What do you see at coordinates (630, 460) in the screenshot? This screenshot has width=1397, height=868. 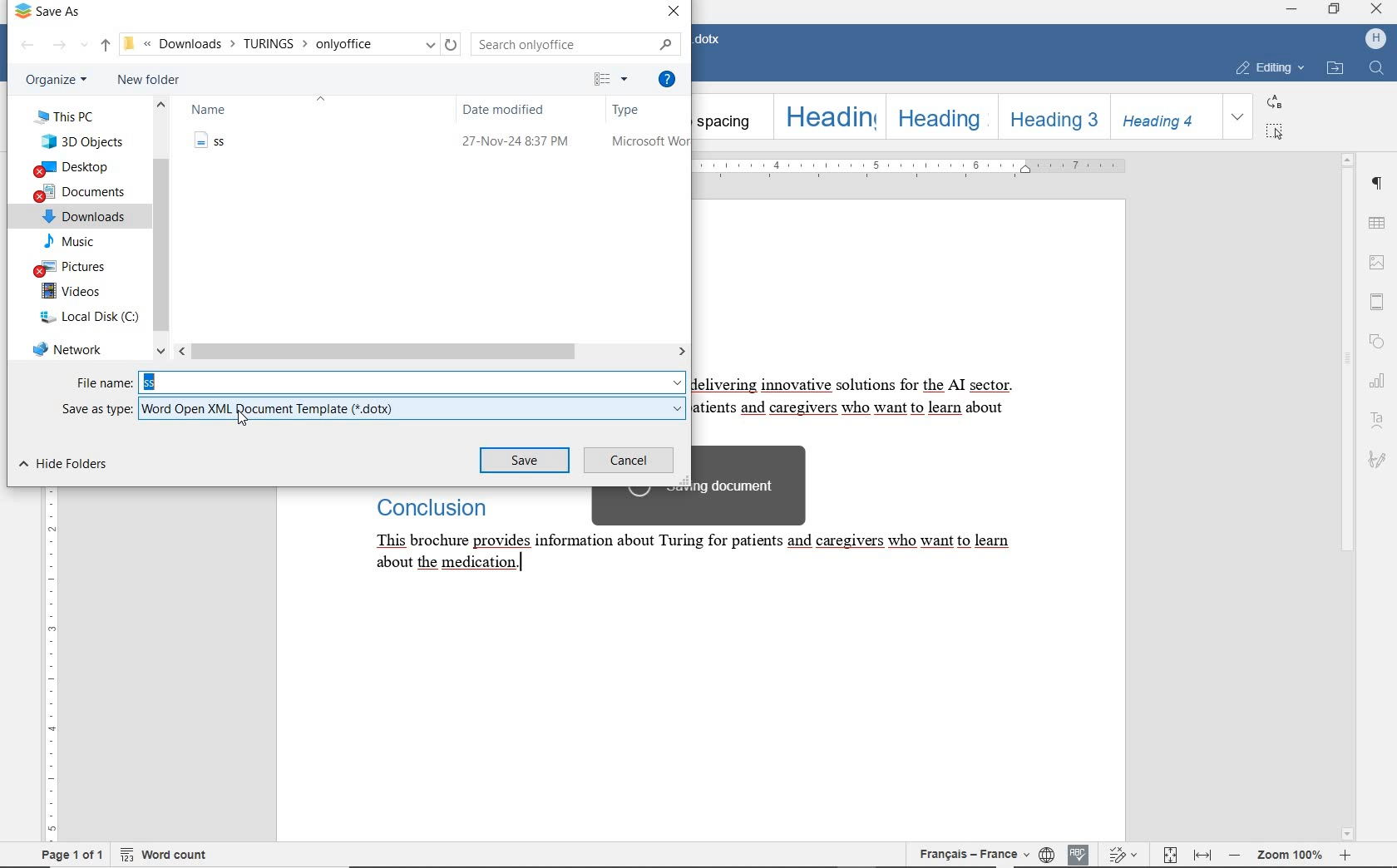 I see `CANCEL` at bounding box center [630, 460].